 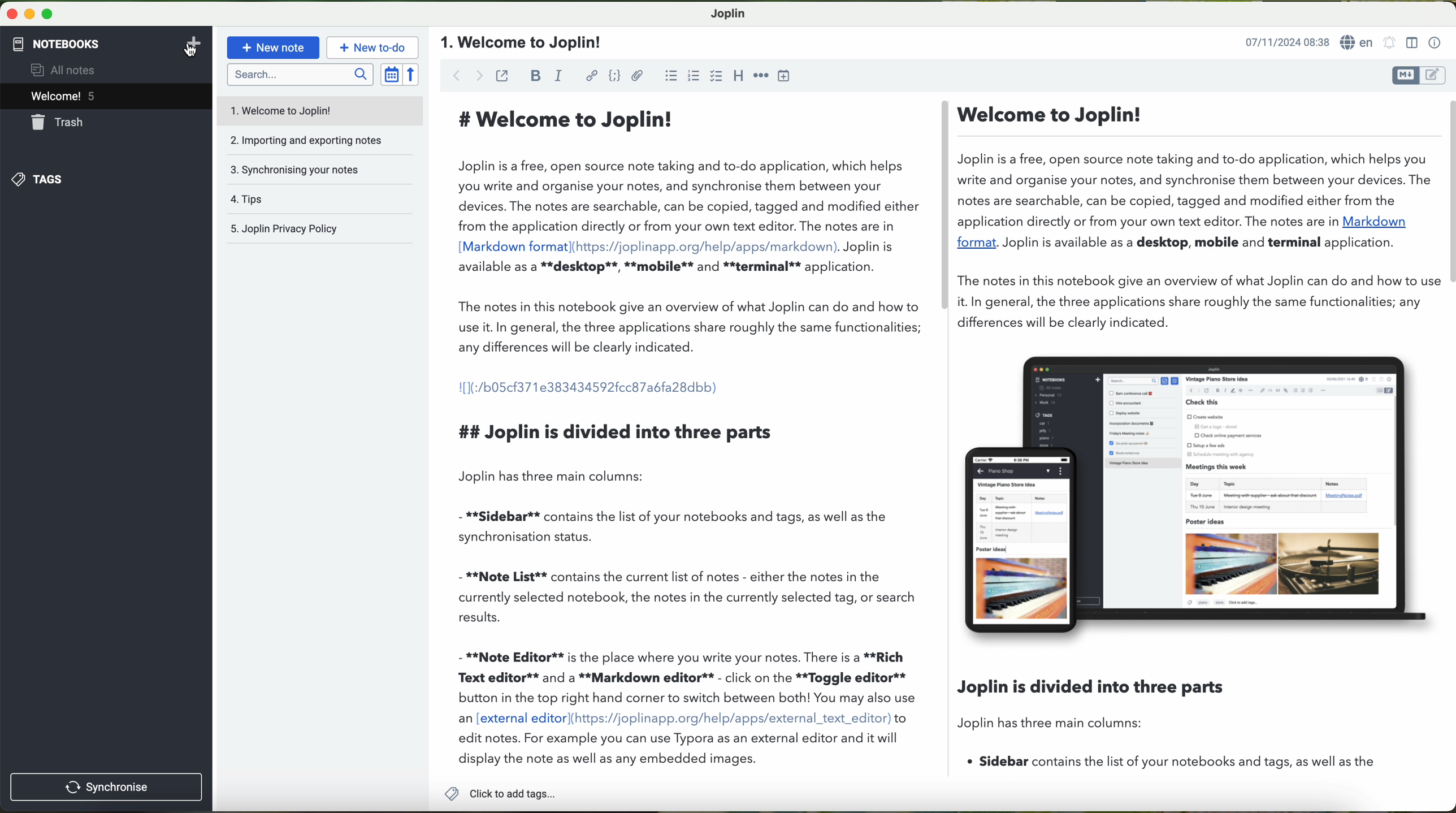 I want to click on Joplin privacy policy, so click(x=287, y=228).